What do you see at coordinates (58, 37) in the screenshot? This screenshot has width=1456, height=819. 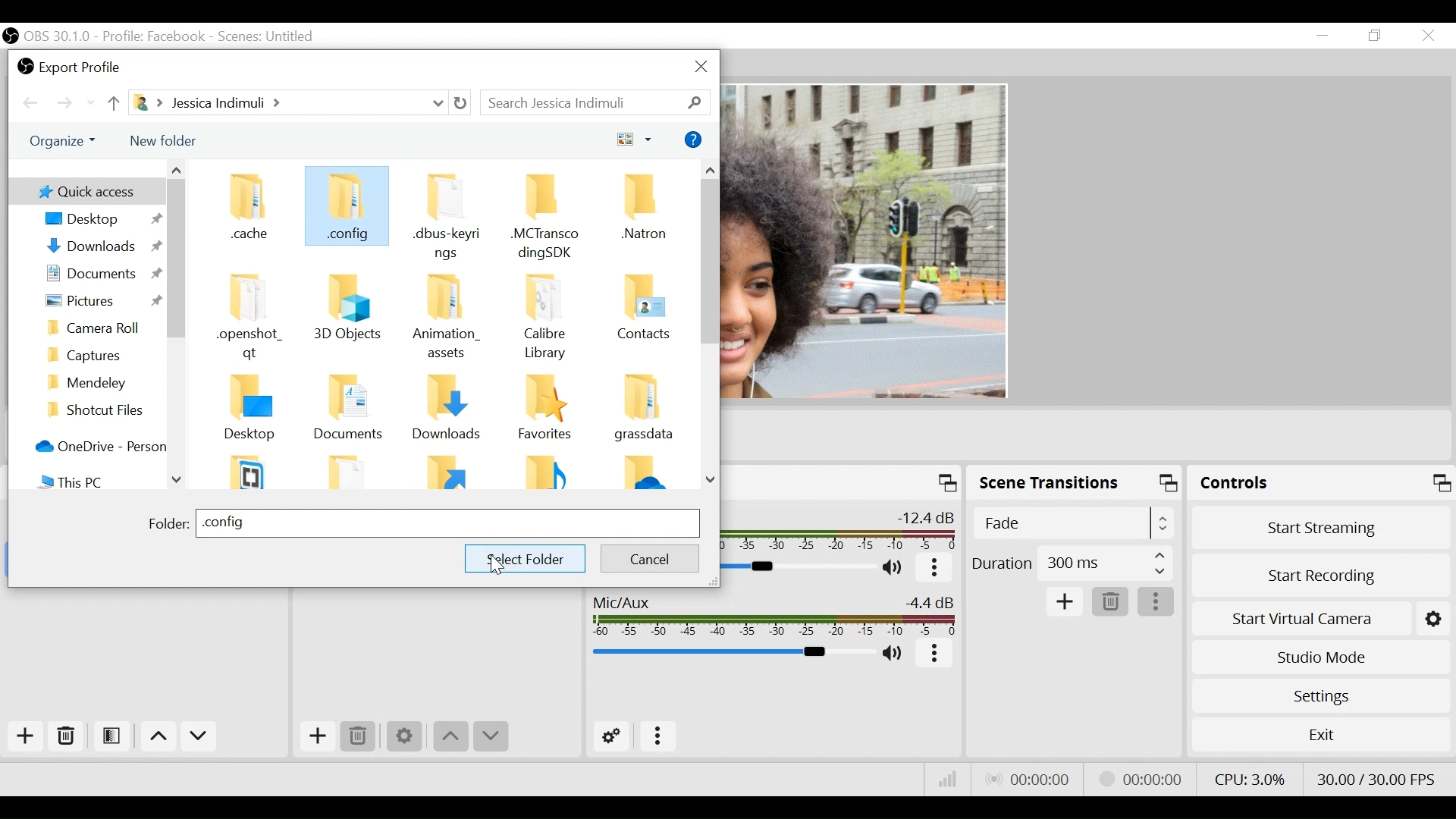 I see `OBS Version` at bounding box center [58, 37].